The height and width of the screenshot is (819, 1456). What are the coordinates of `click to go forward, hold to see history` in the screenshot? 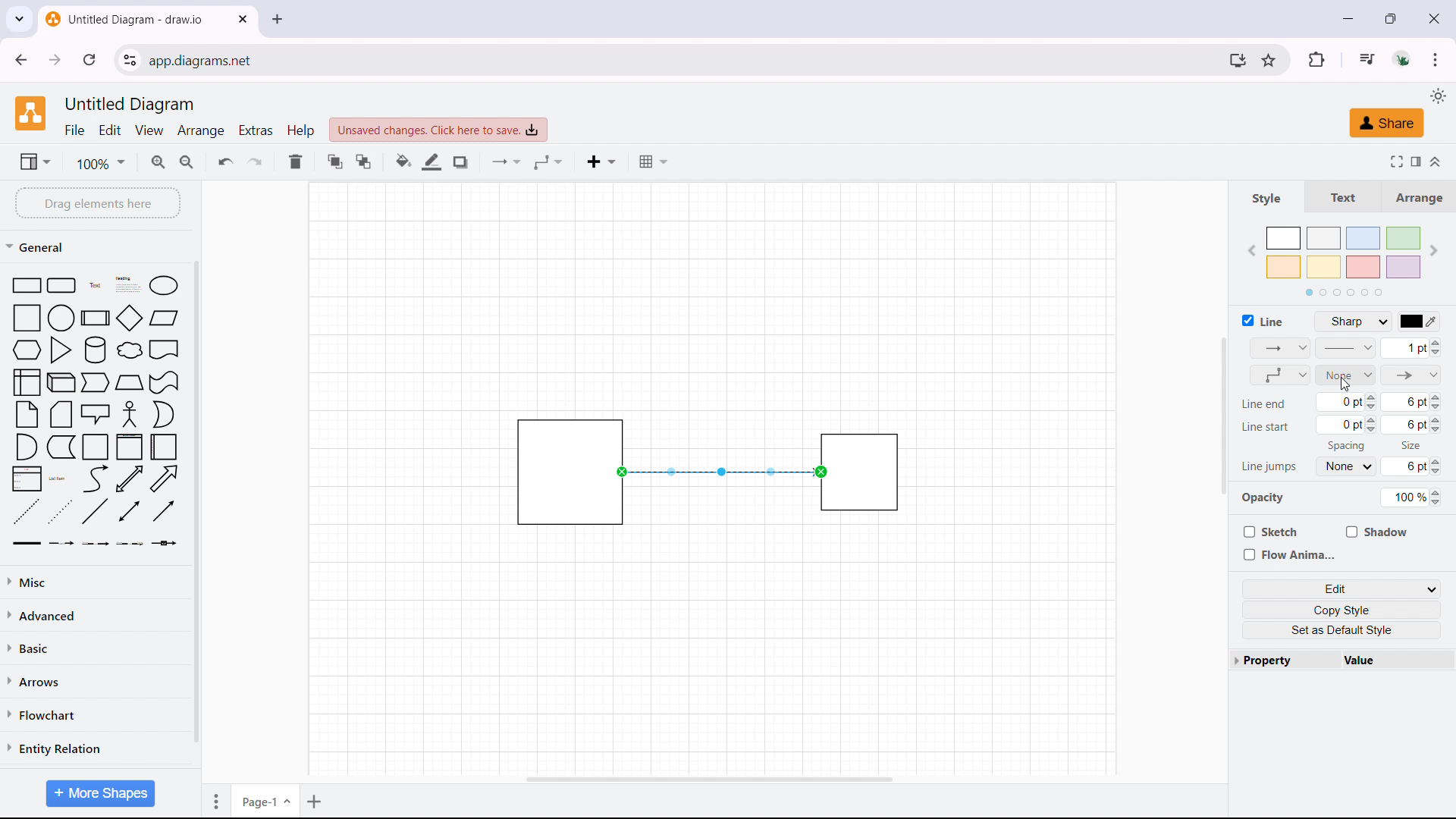 It's located at (55, 60).